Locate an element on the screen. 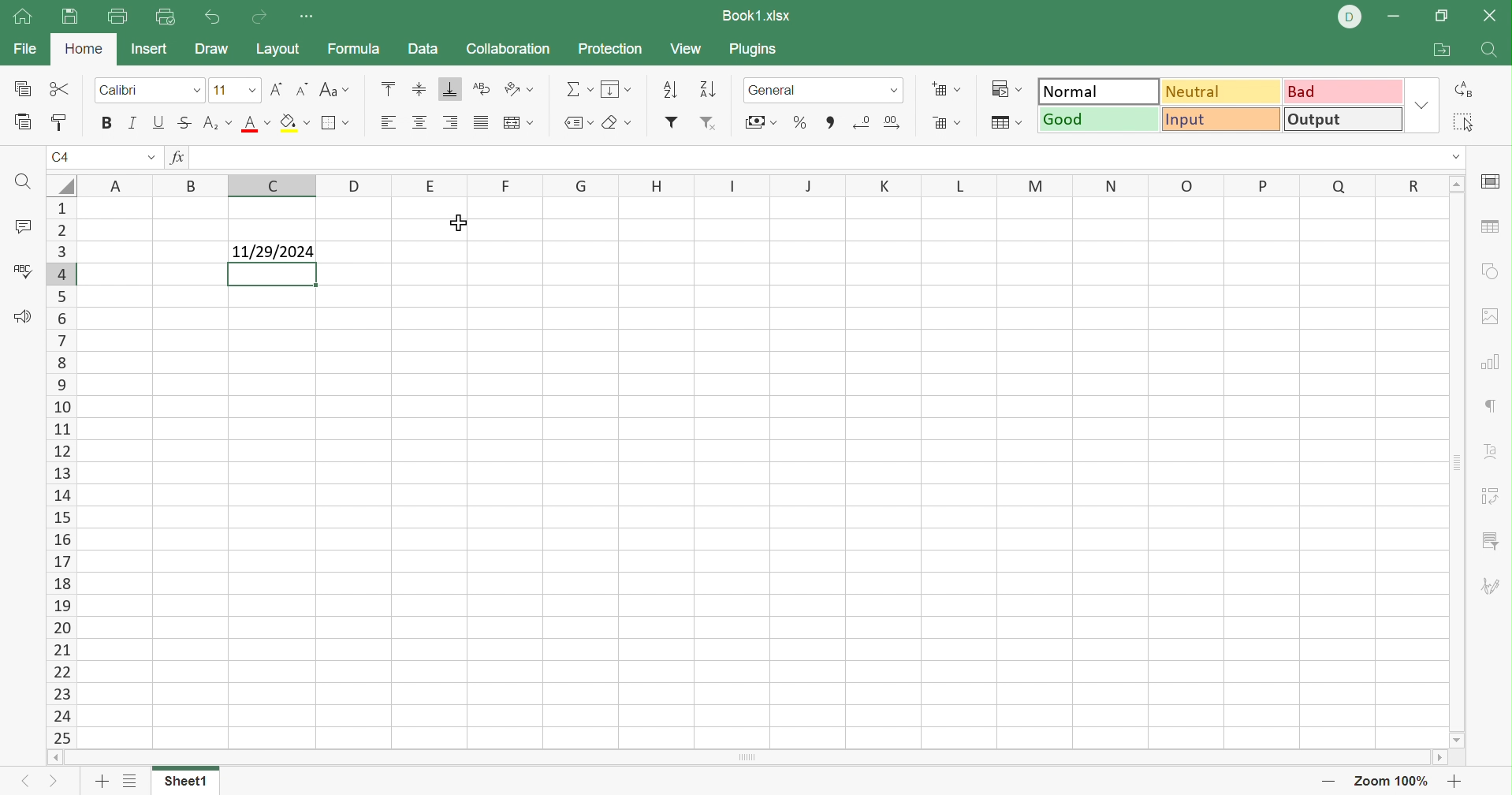 This screenshot has width=1512, height=795. Copy is located at coordinates (25, 88).